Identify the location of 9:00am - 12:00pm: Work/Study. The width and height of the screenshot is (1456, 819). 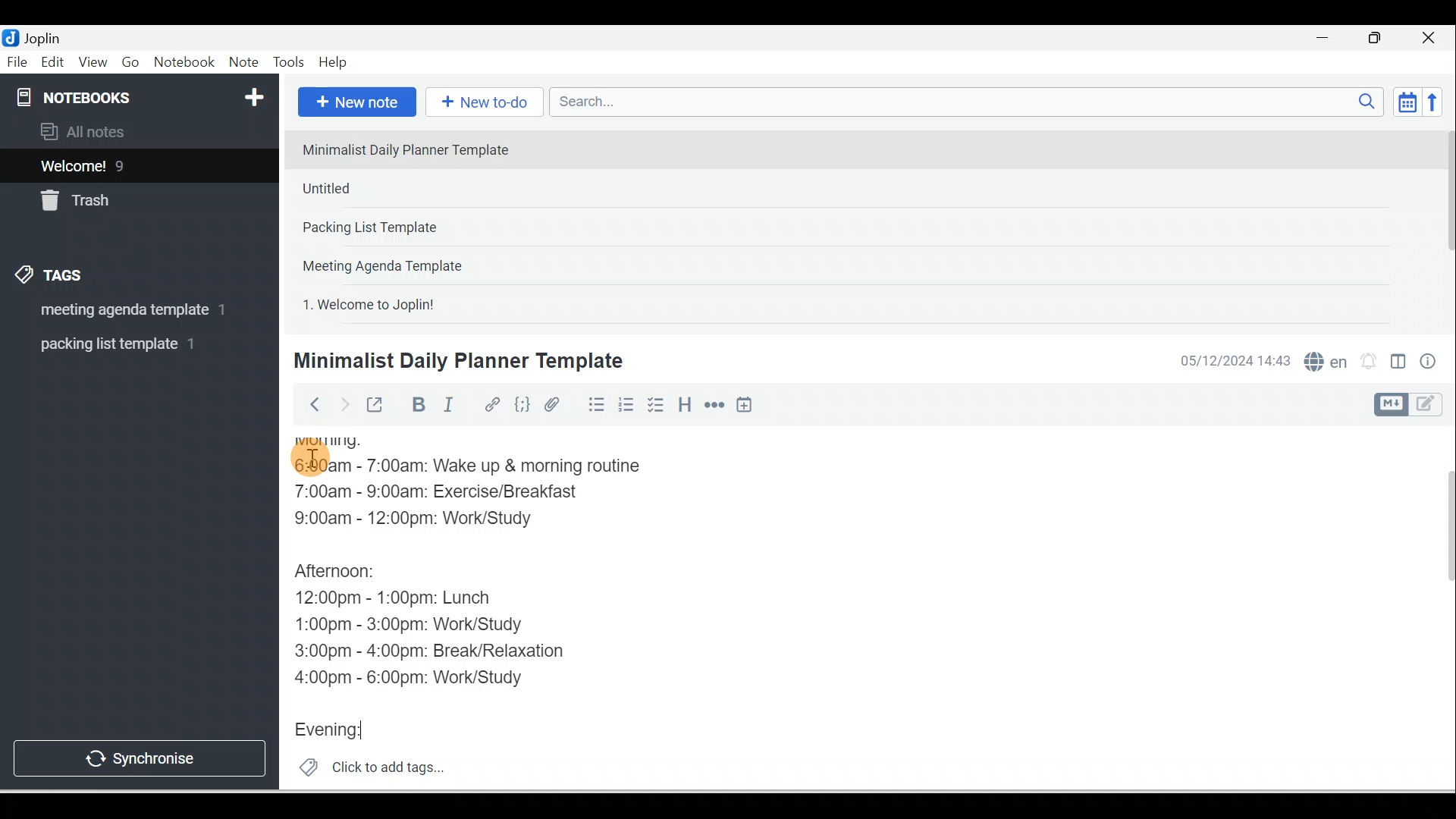
(431, 520).